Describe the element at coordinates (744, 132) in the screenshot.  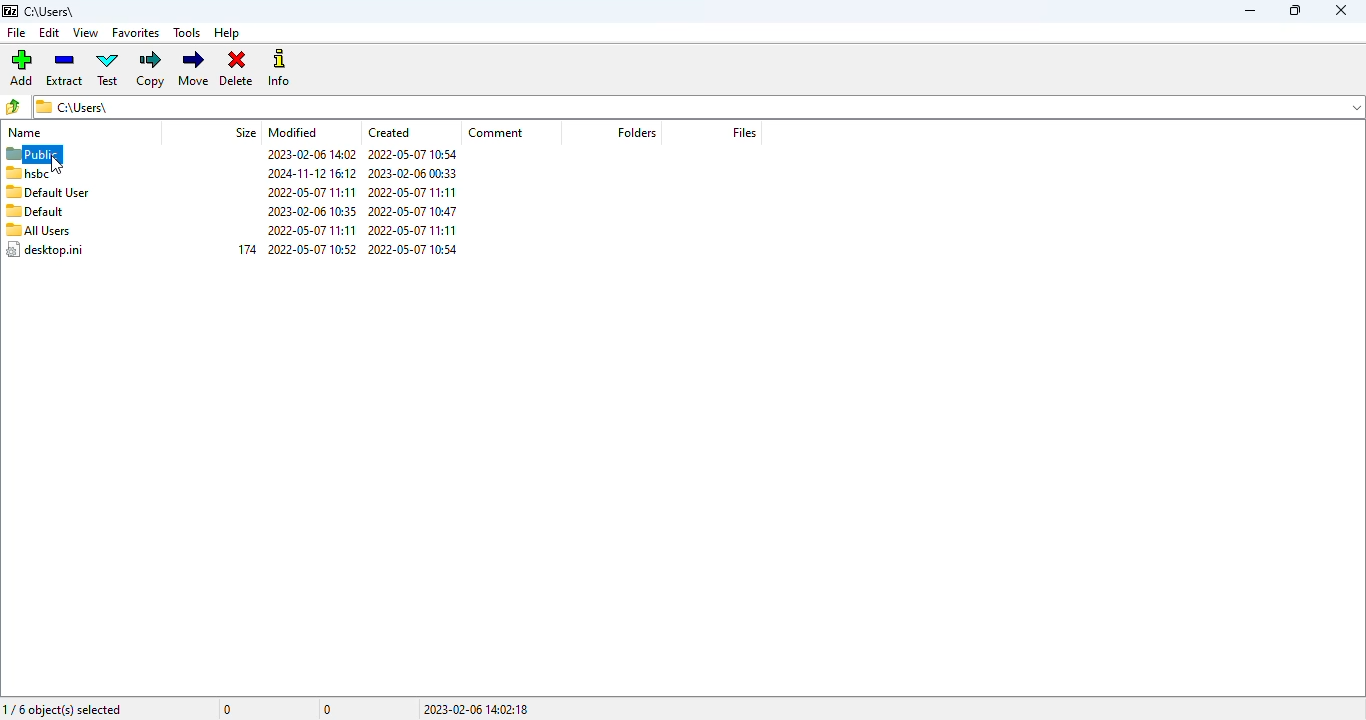
I see `files` at that location.